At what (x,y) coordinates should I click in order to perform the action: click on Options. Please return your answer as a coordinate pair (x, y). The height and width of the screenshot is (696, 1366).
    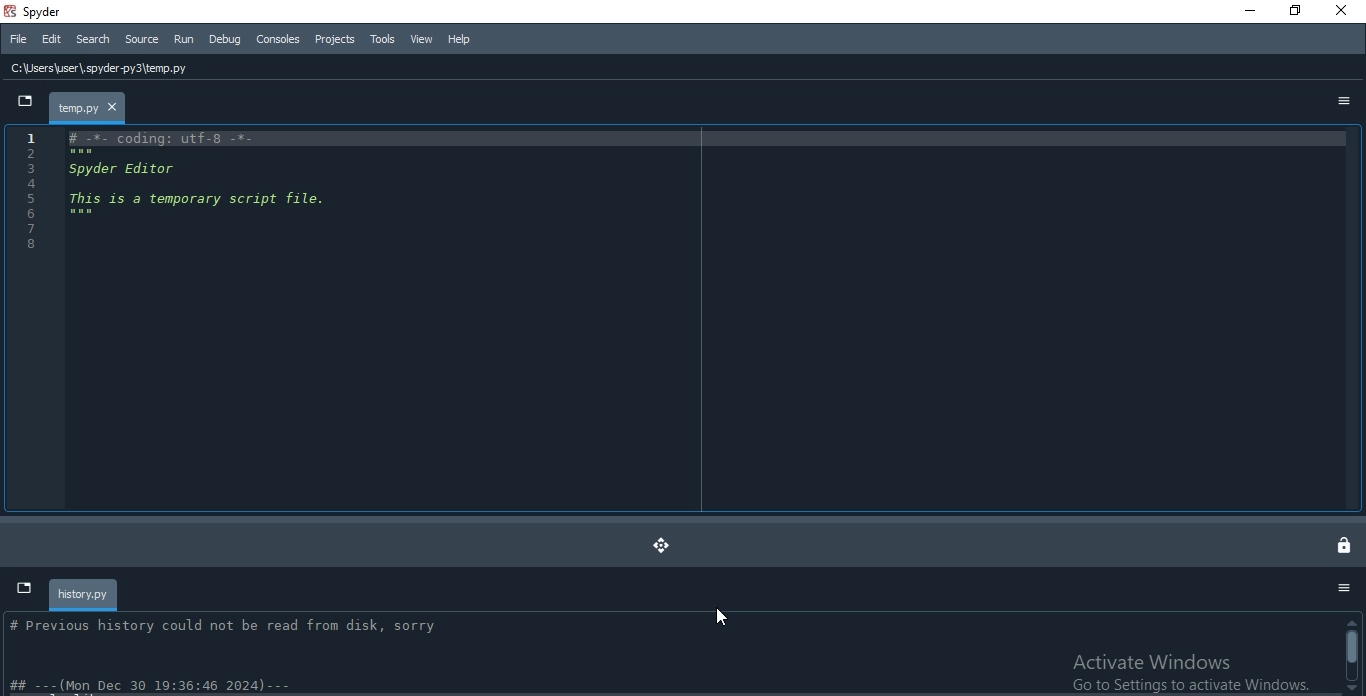
    Looking at the image, I should click on (1338, 586).